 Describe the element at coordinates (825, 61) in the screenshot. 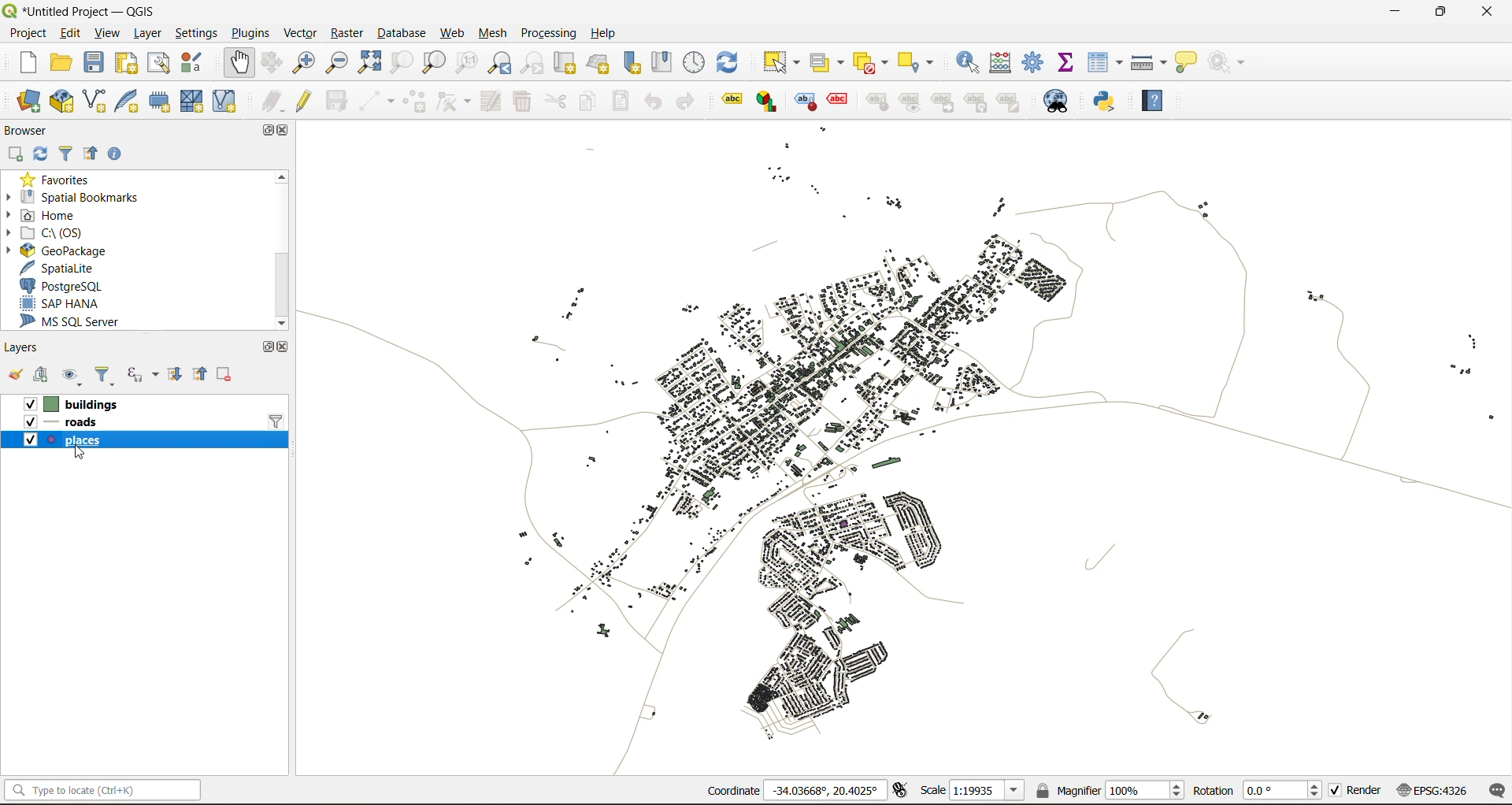

I see `select value` at that location.